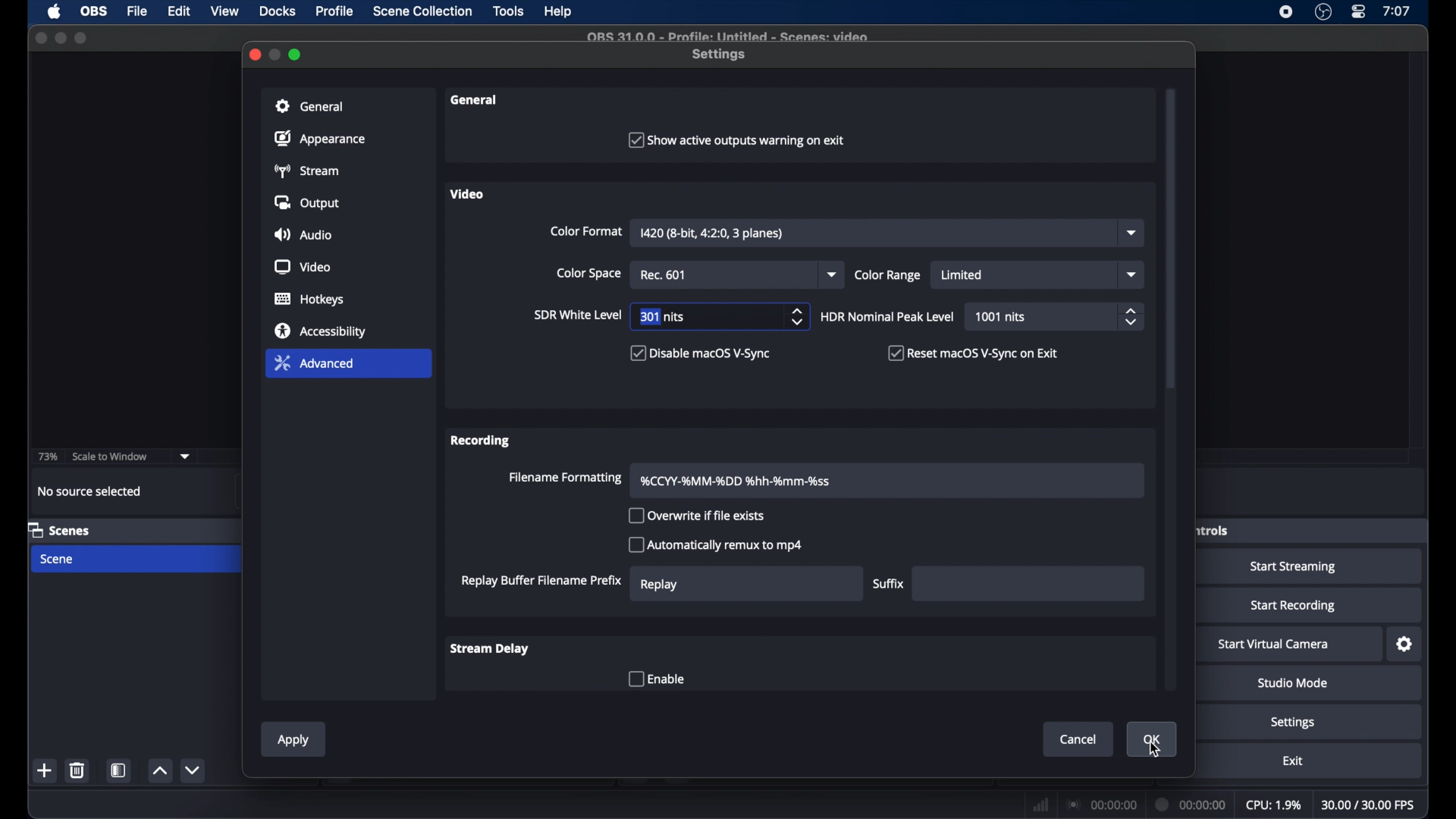 The image size is (1456, 819). I want to click on 1001 nits, so click(1002, 316).